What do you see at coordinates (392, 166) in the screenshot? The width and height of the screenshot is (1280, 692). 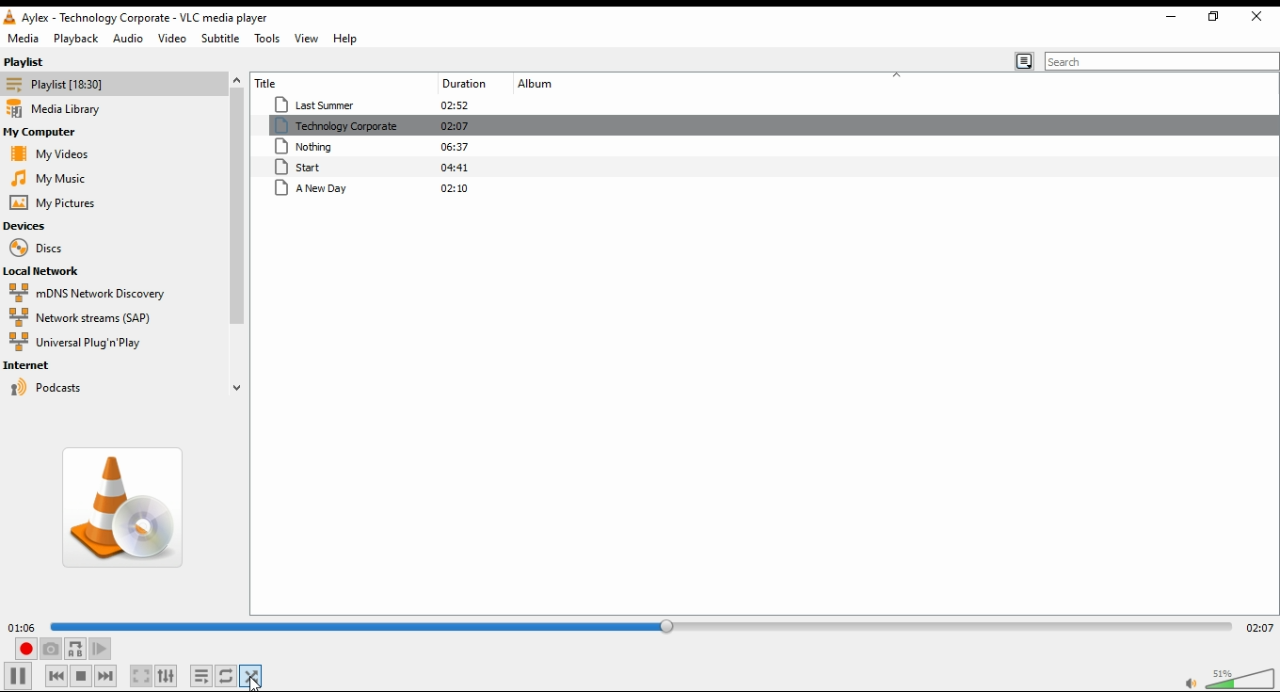 I see `start` at bounding box center [392, 166].